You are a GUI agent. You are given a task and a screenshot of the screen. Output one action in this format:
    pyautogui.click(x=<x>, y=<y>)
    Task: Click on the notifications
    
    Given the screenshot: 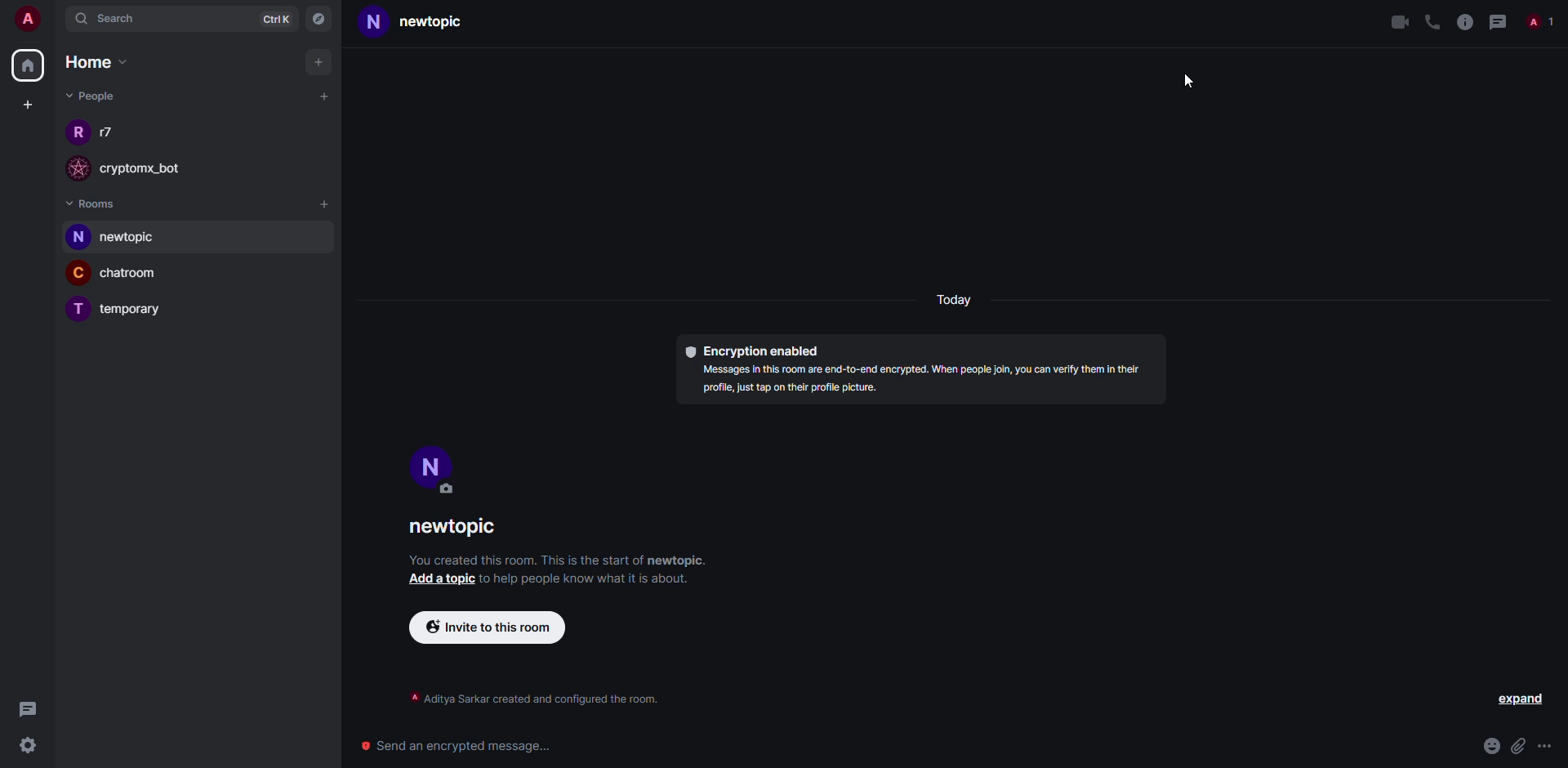 What is the action you would take?
    pyautogui.click(x=1542, y=23)
    